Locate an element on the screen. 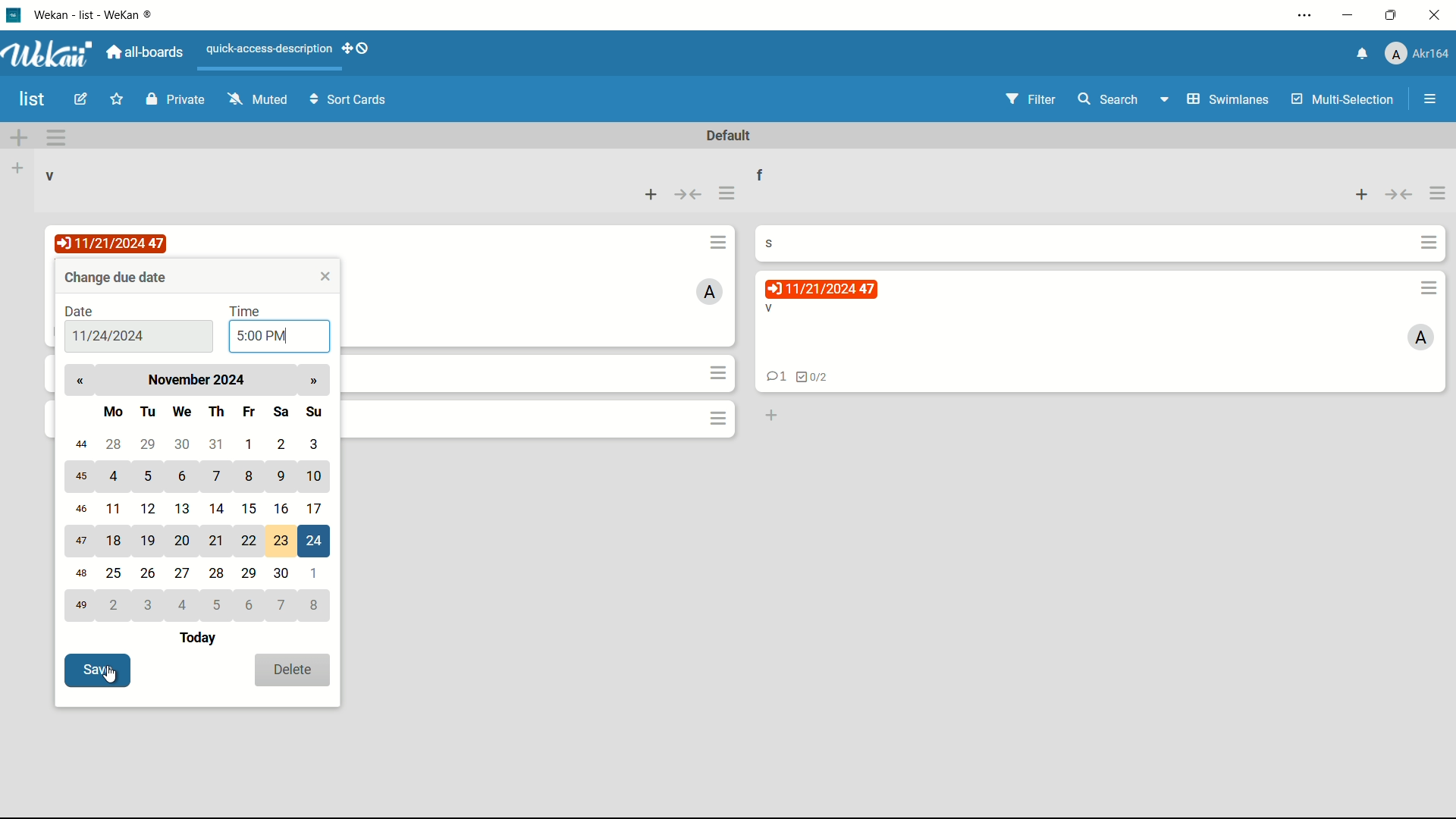 Image resolution: width=1456 pixels, height=819 pixels. show-desktop-drag-handles is located at coordinates (356, 49).